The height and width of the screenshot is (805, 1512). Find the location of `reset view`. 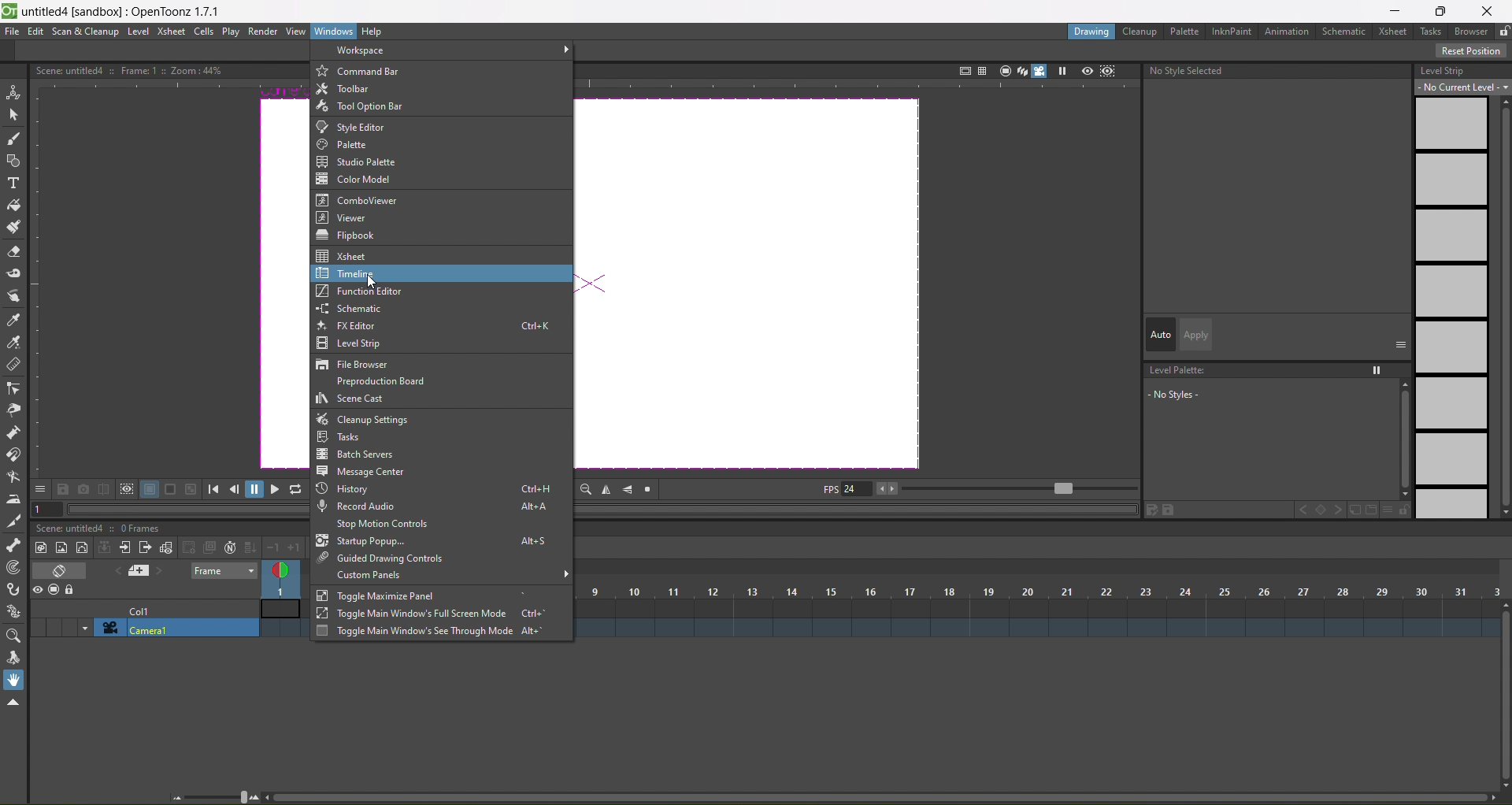

reset view is located at coordinates (650, 489).